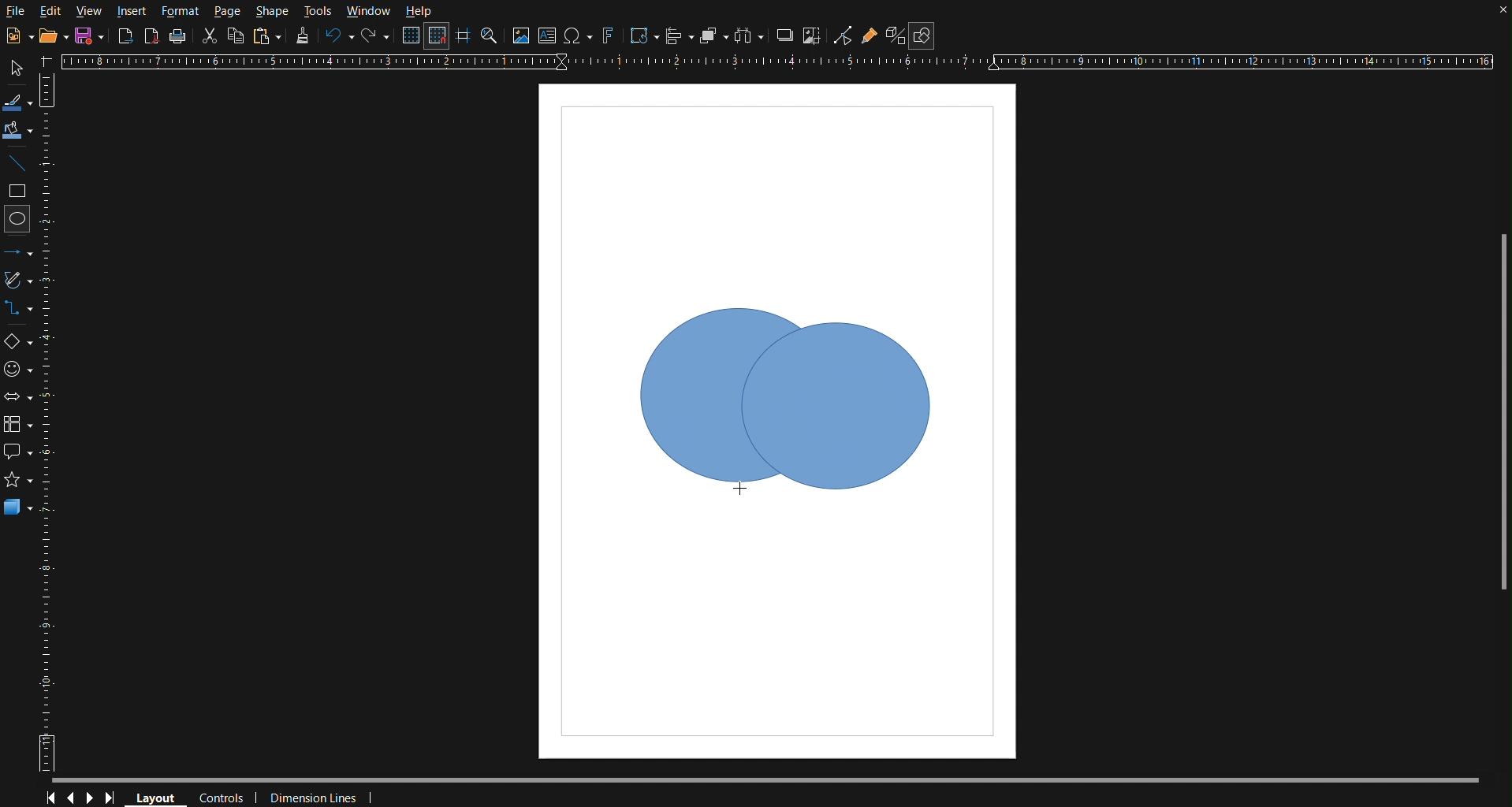  Describe the element at coordinates (223, 795) in the screenshot. I see `Controls` at that location.